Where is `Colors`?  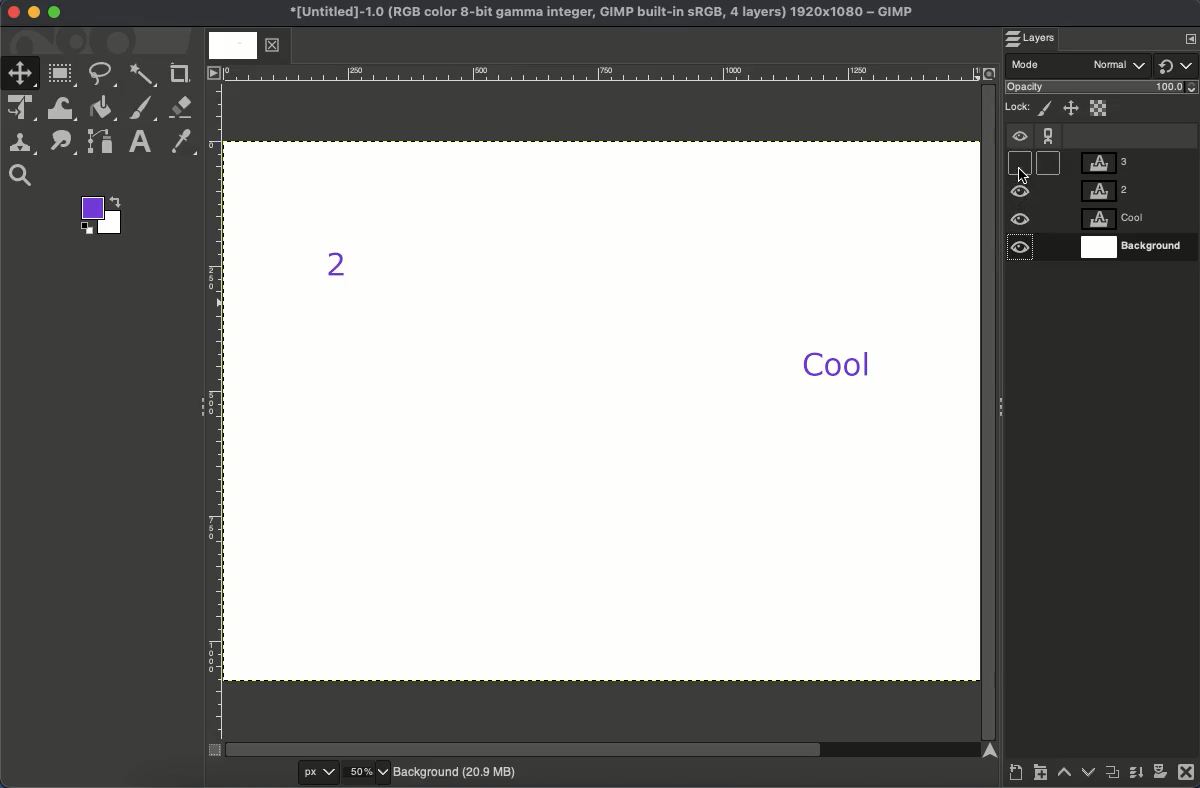 Colors is located at coordinates (104, 217).